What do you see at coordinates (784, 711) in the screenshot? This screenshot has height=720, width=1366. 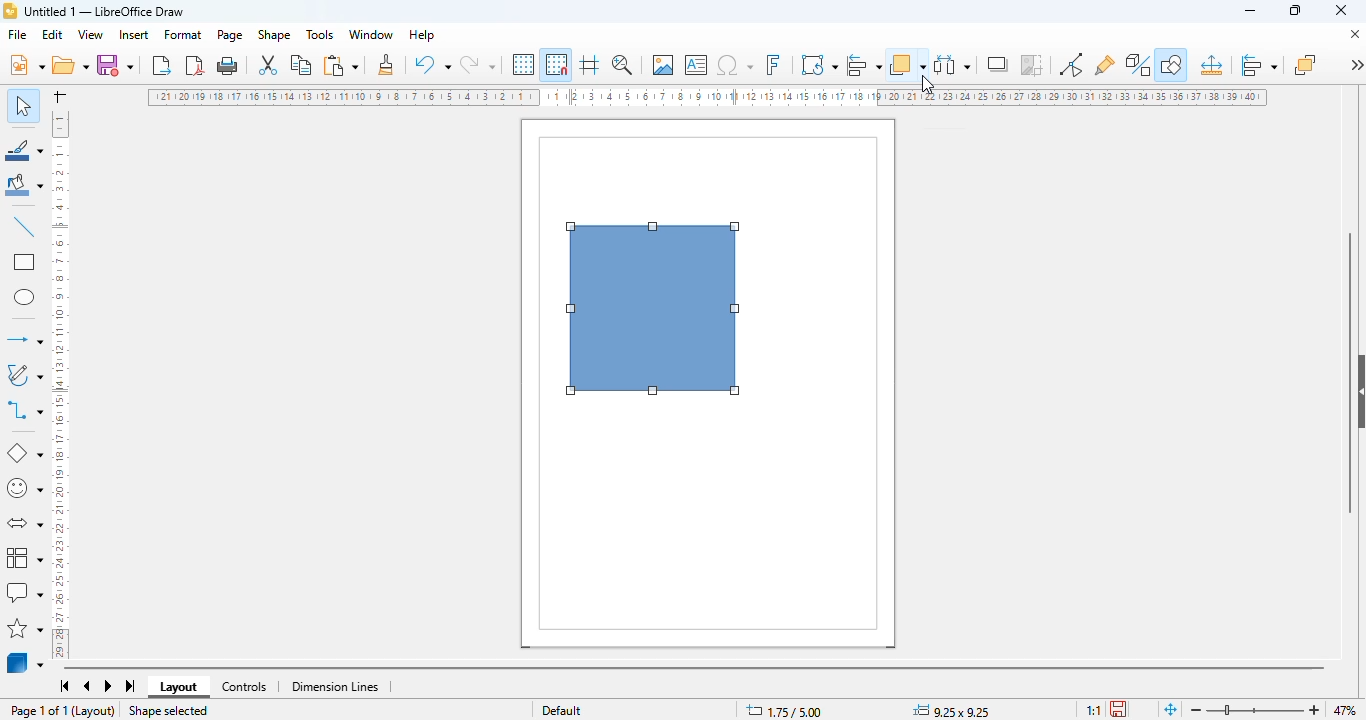 I see `change in X & Y coordinates` at bounding box center [784, 711].